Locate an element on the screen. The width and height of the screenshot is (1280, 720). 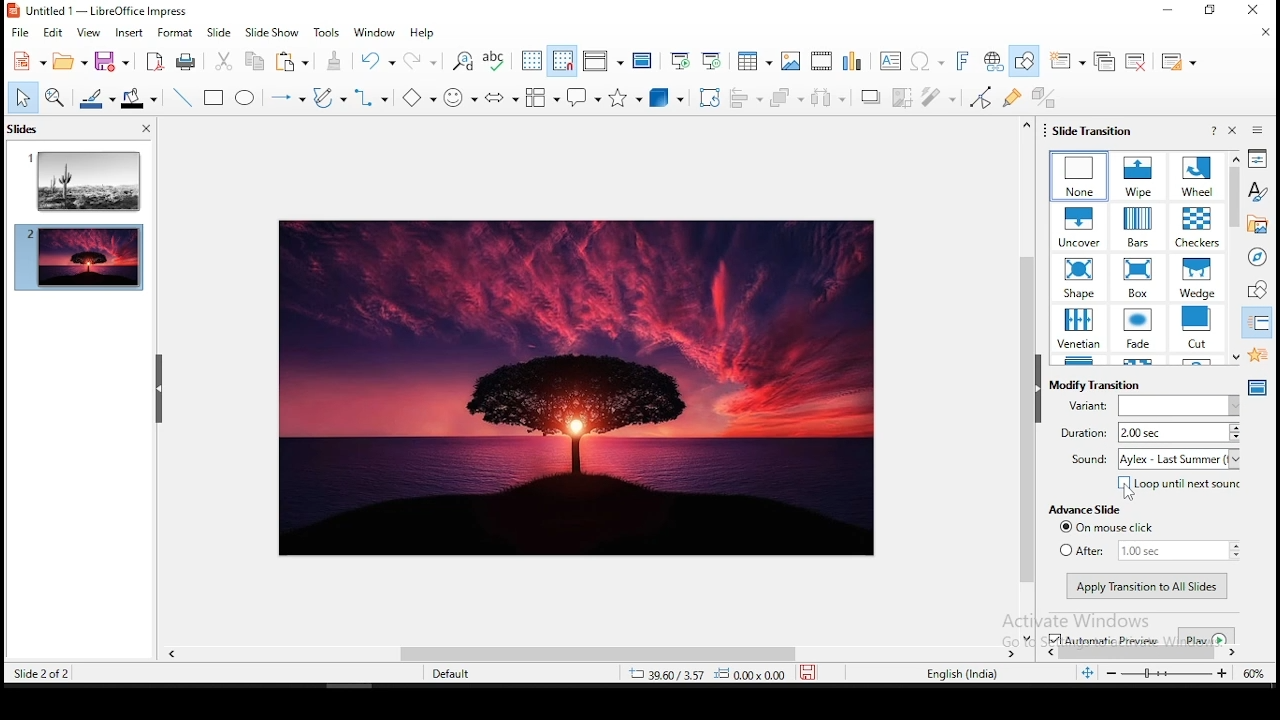
format is located at coordinates (175, 31).